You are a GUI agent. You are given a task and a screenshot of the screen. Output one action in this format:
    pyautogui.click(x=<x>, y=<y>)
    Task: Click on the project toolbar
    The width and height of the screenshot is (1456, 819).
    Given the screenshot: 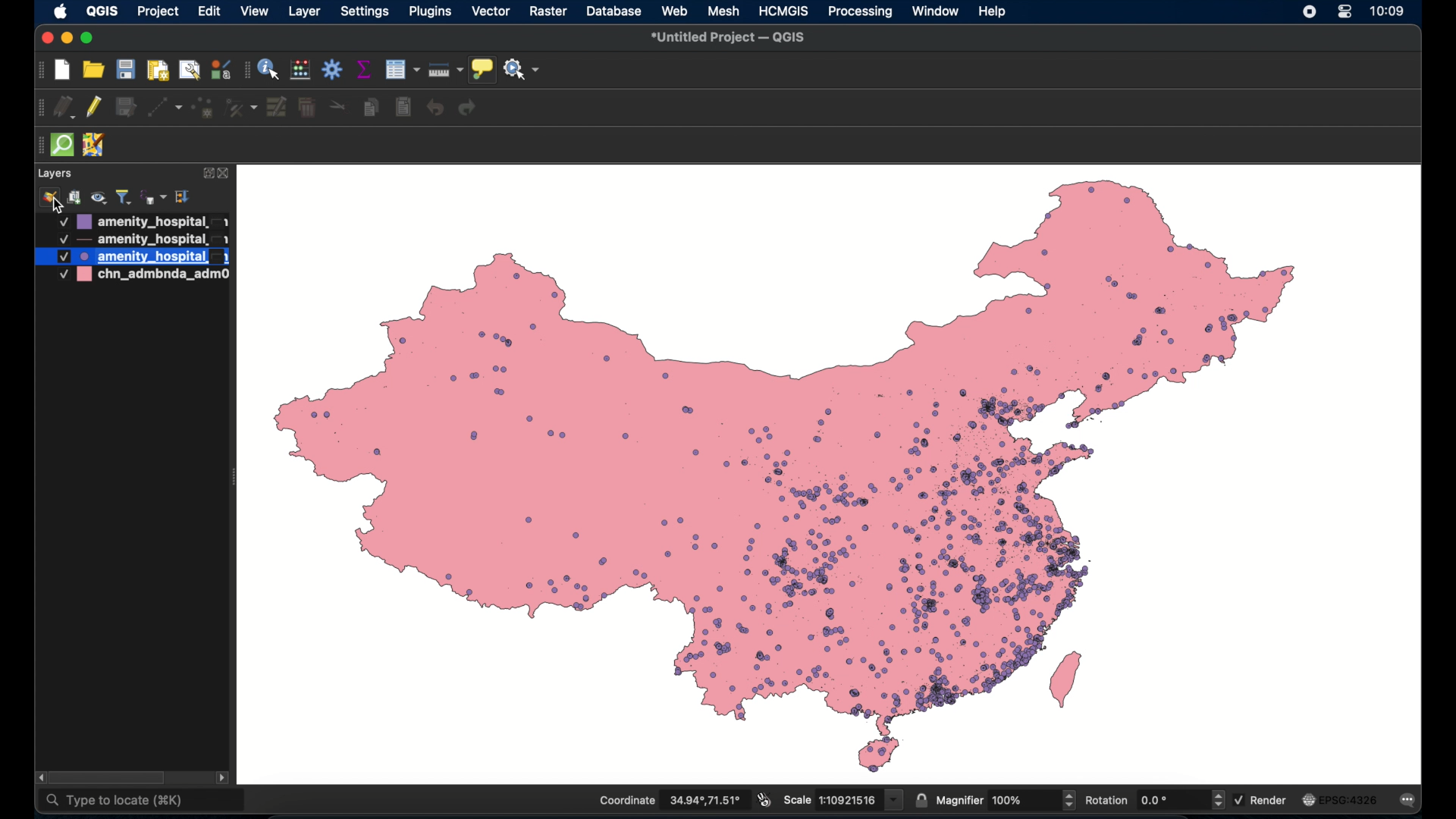 What is the action you would take?
    pyautogui.click(x=40, y=71)
    